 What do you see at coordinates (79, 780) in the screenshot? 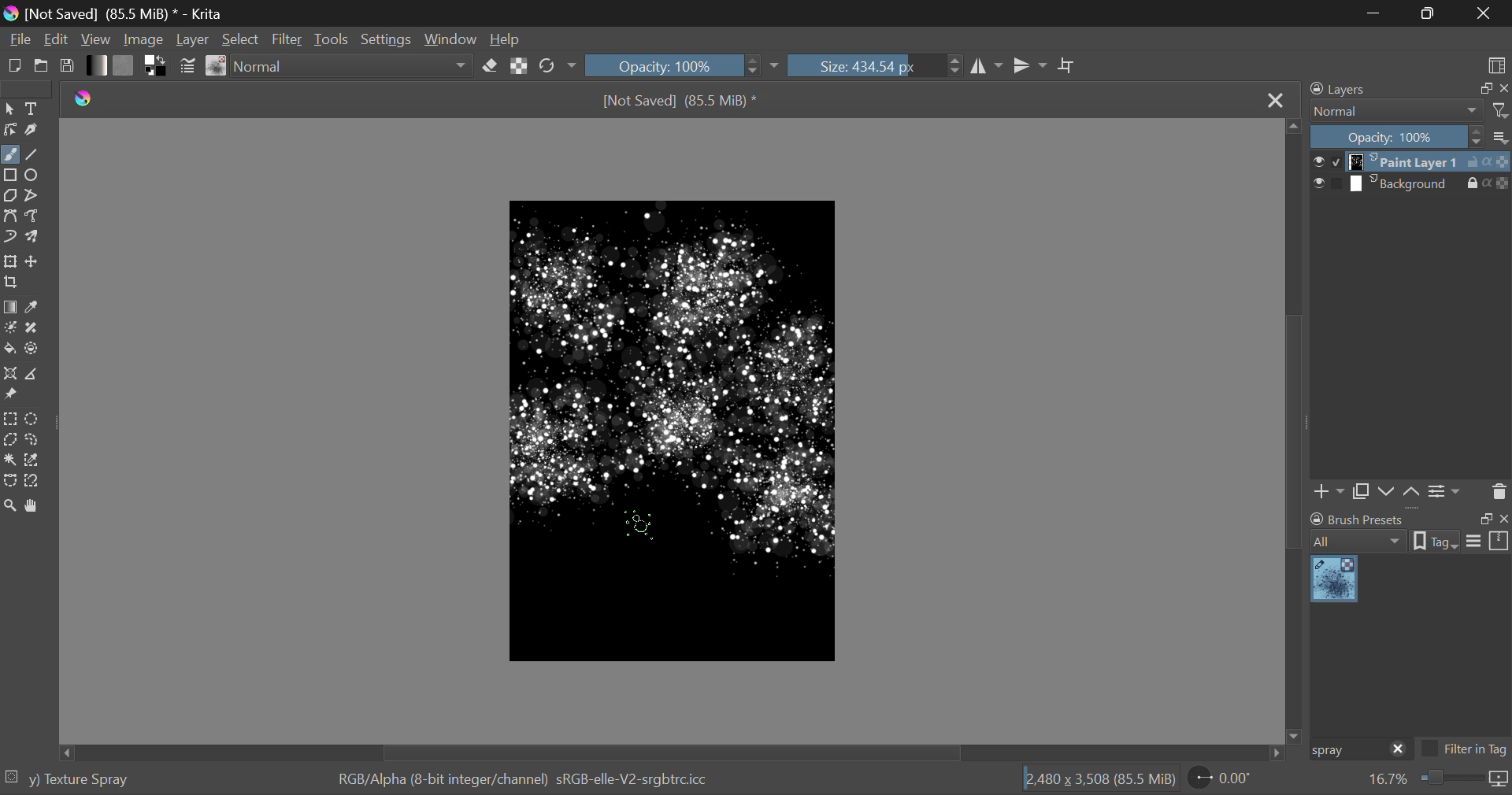
I see `y) Texture Spray` at bounding box center [79, 780].